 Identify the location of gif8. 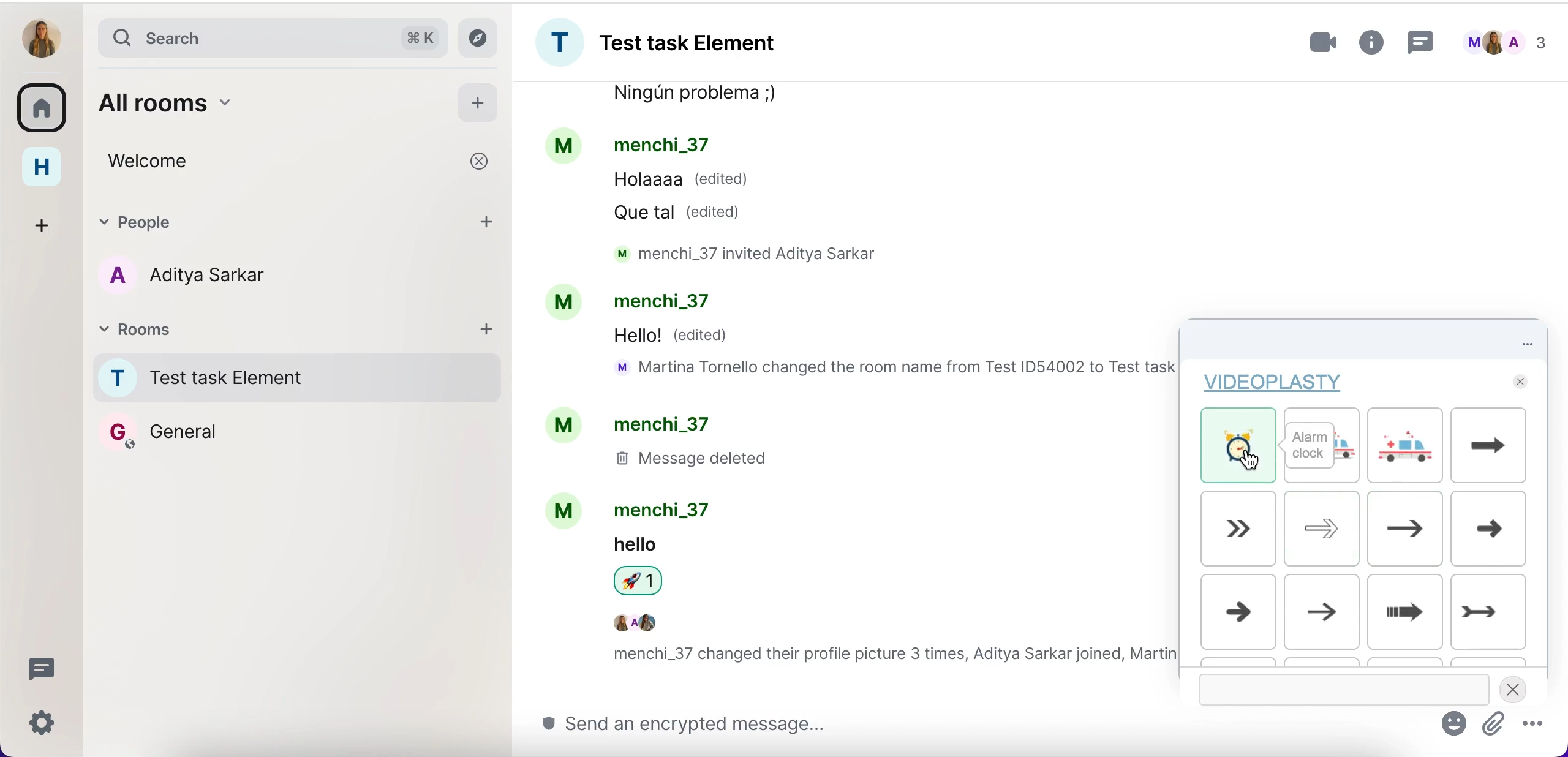
(1492, 527).